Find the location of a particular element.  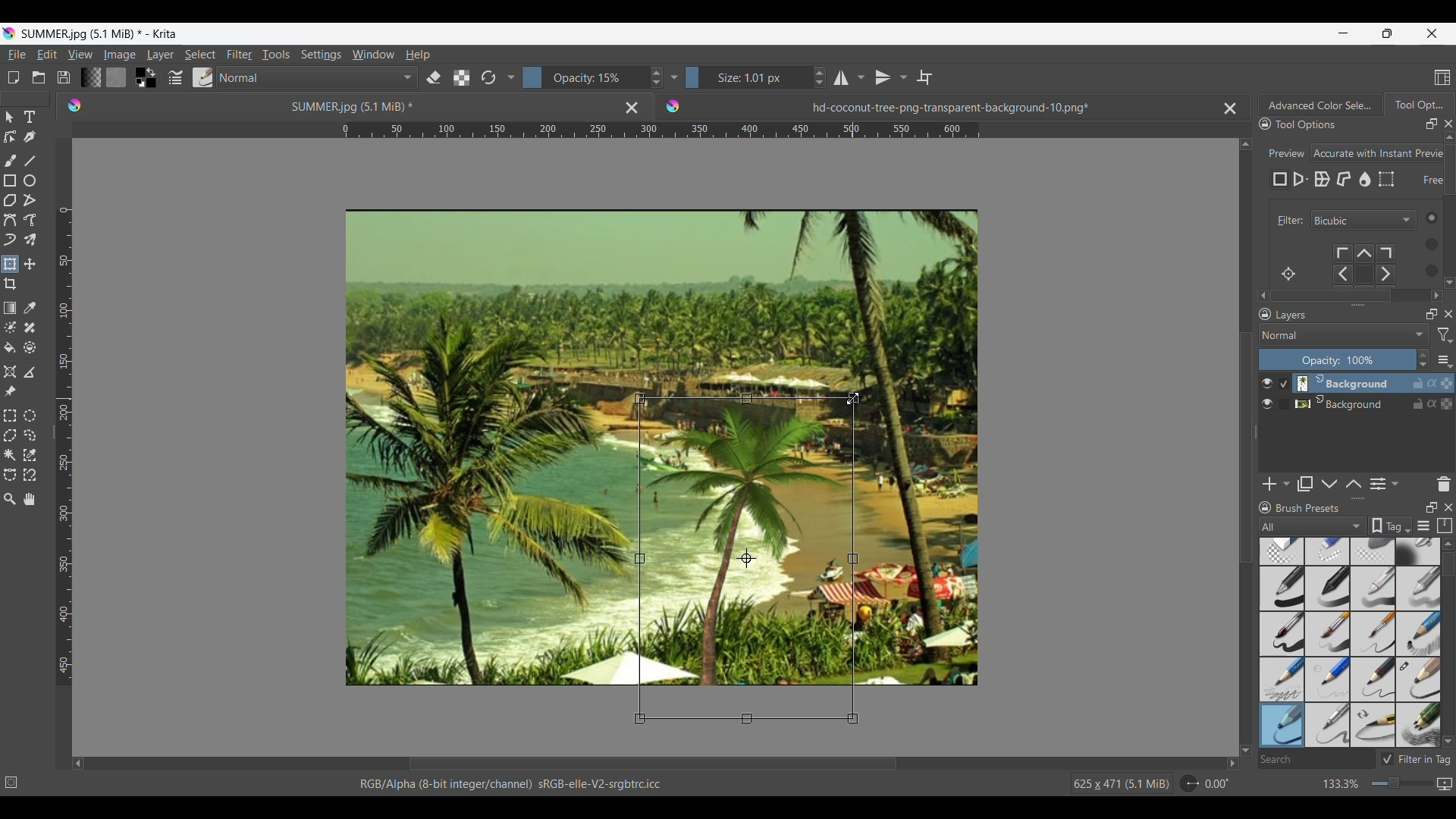

Down is located at coordinates (1246, 741).